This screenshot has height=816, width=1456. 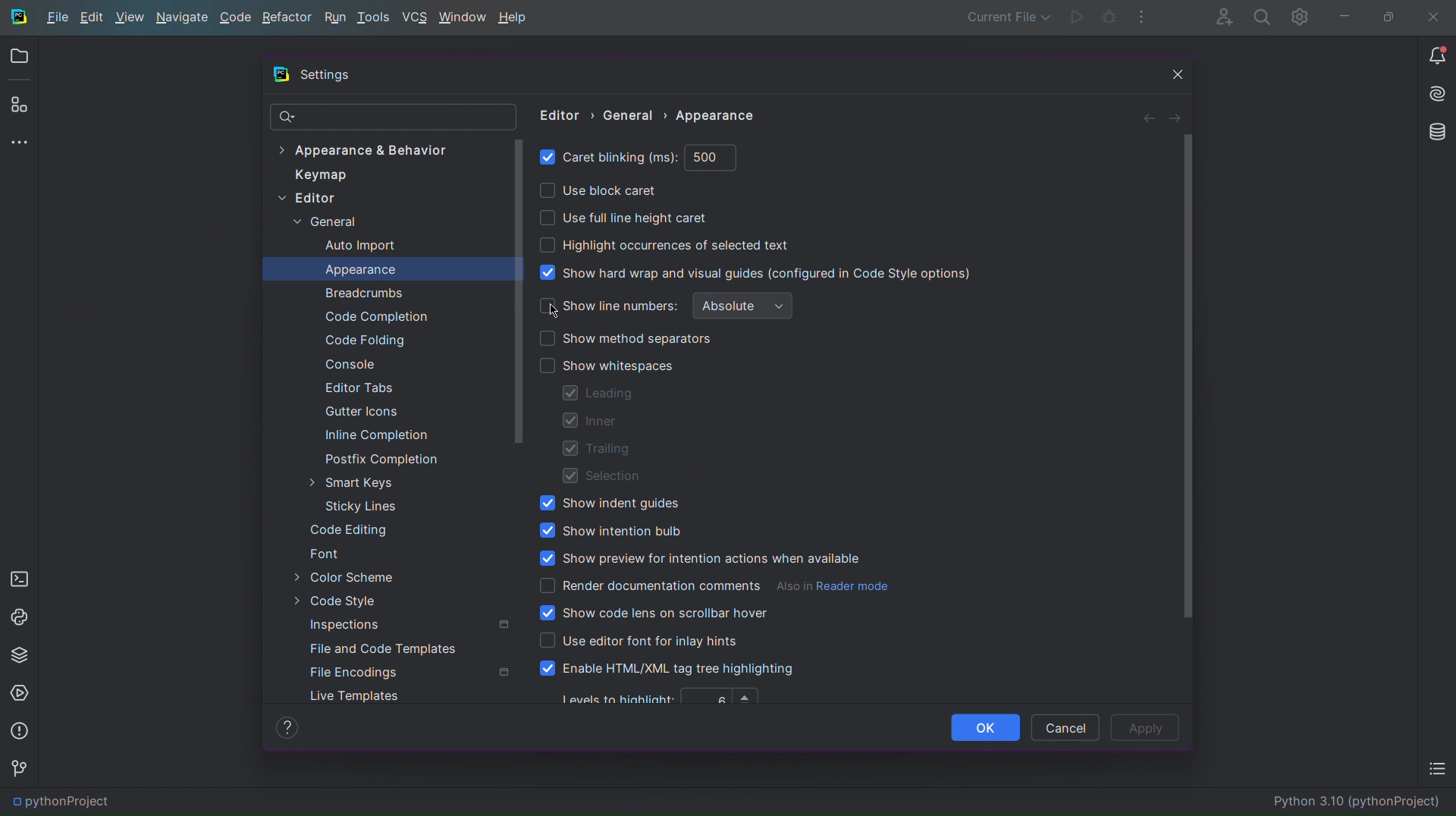 I want to click on Live Templates, so click(x=354, y=696).